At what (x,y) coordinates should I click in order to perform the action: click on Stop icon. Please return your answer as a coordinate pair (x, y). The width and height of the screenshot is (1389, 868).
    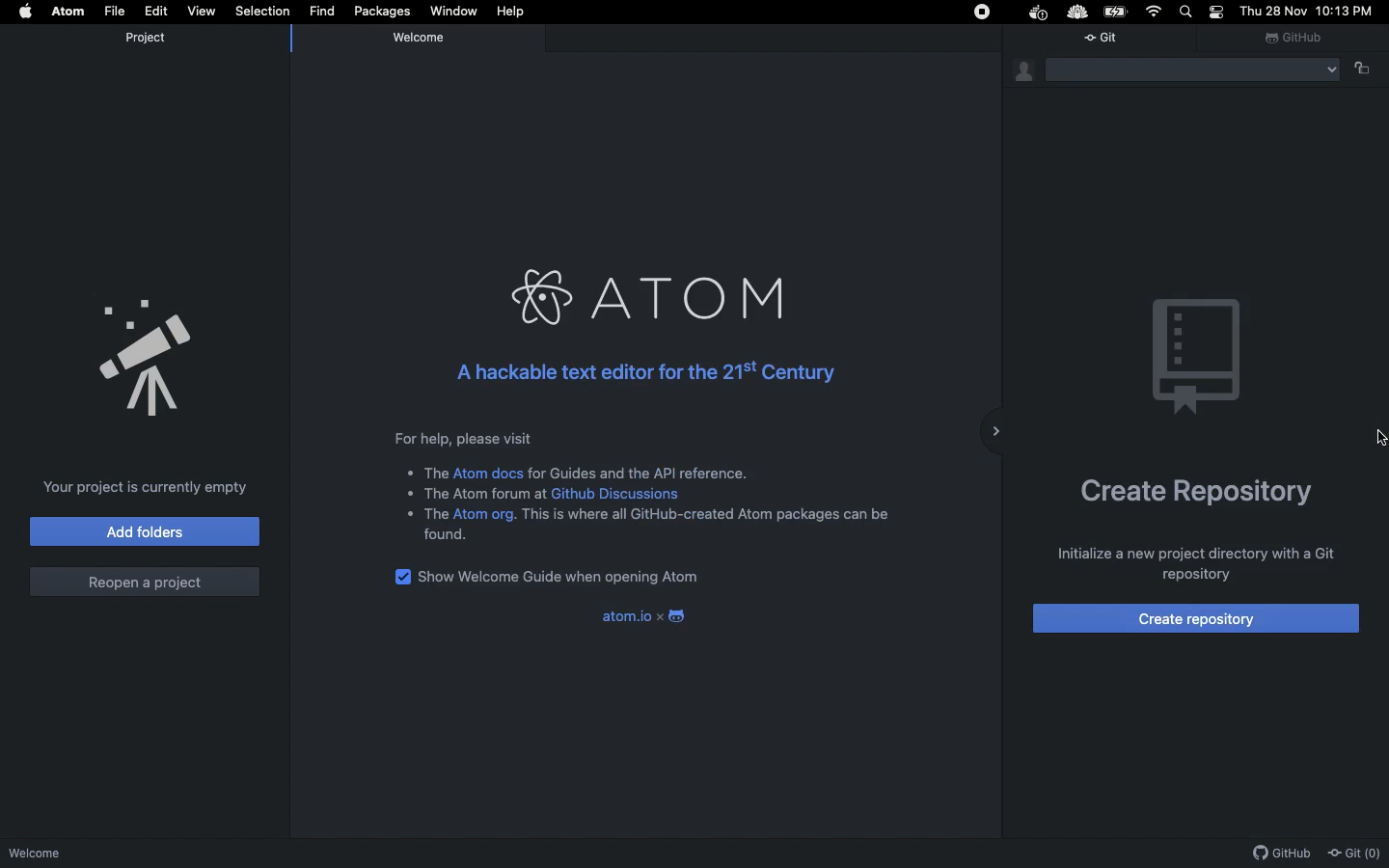
    Looking at the image, I should click on (983, 14).